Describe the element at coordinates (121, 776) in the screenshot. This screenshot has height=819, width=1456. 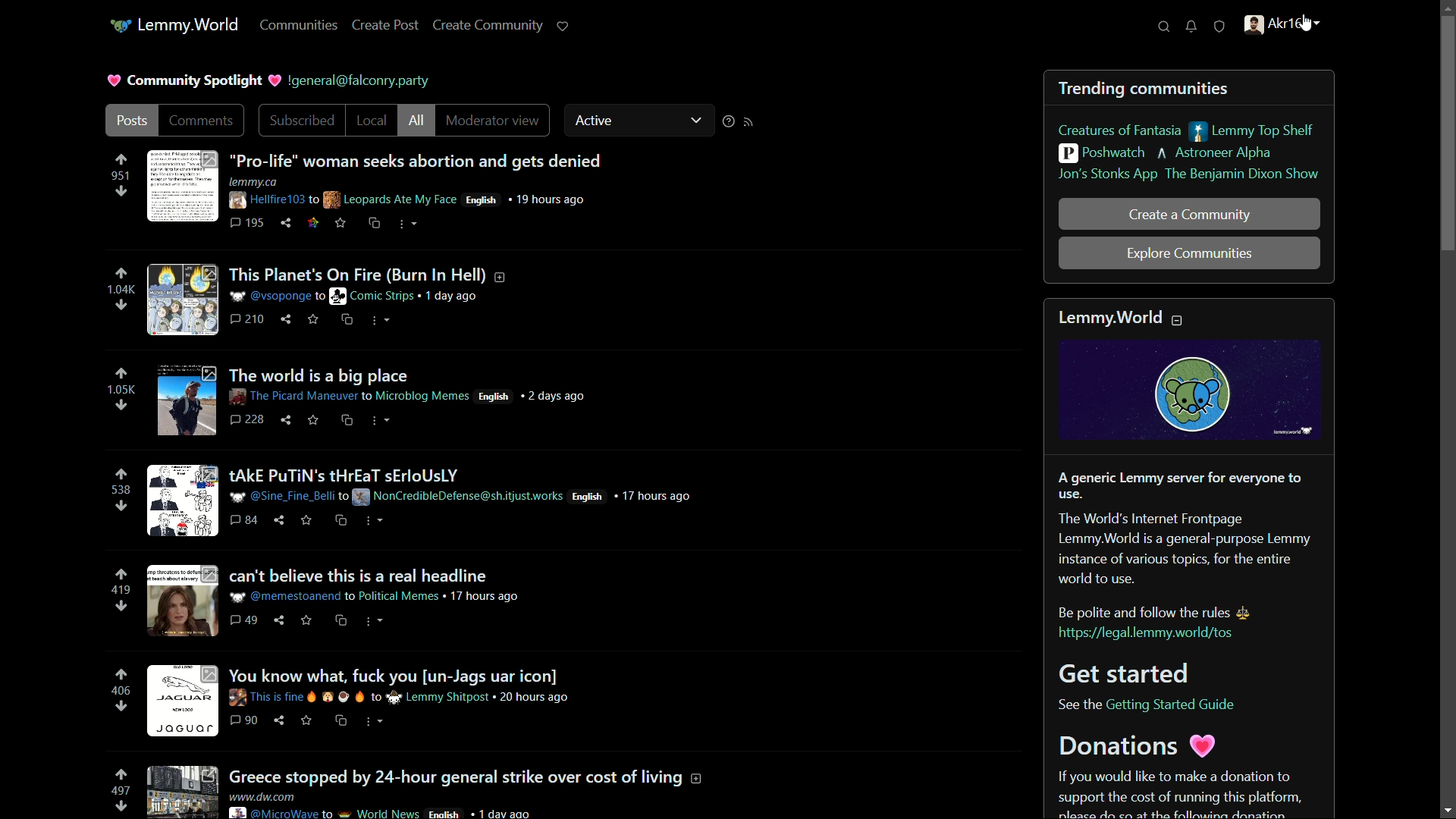
I see `upvote` at that location.